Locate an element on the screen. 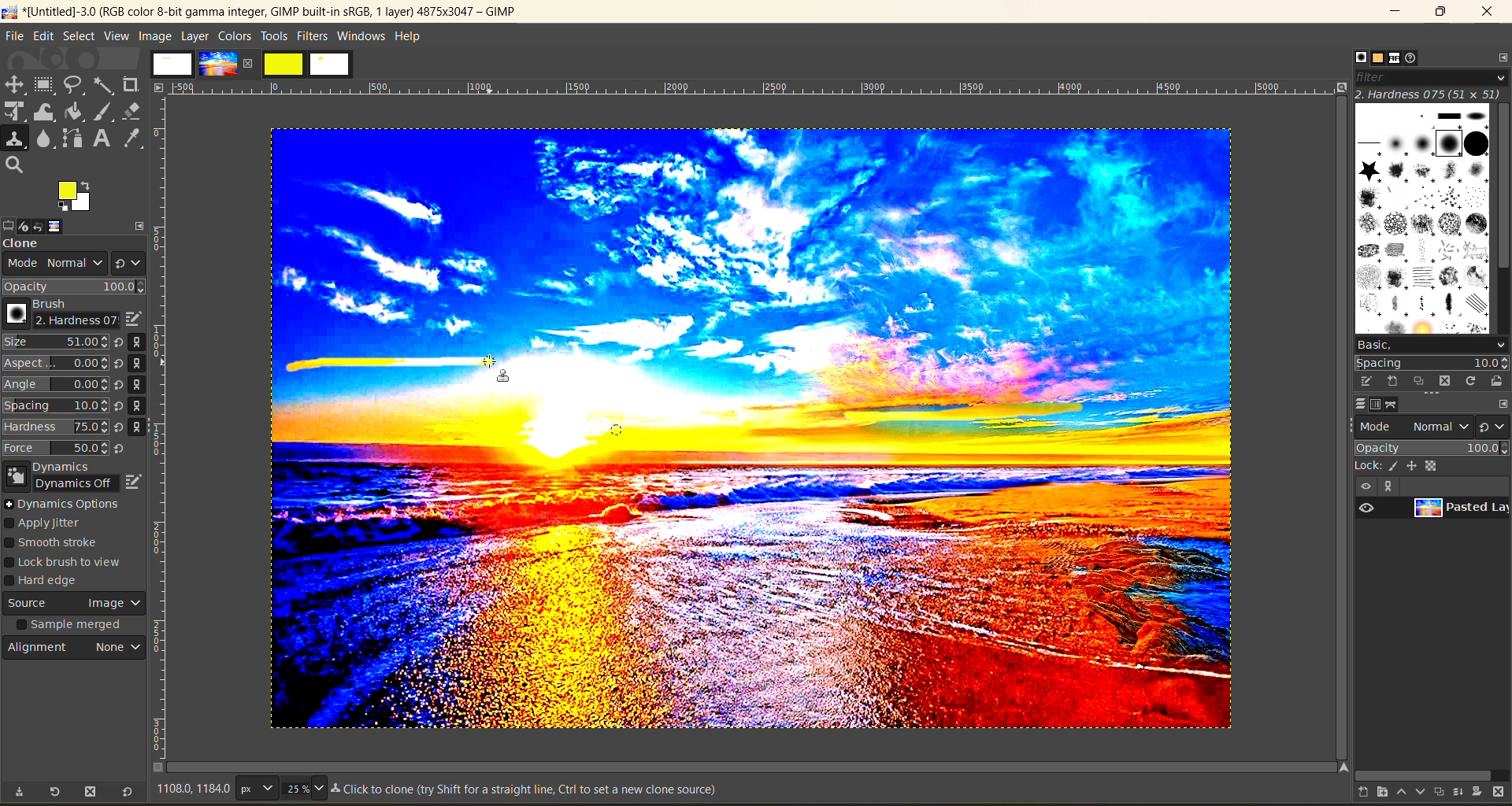 This screenshot has width=1512, height=806. hard edge is located at coordinates (49, 582).